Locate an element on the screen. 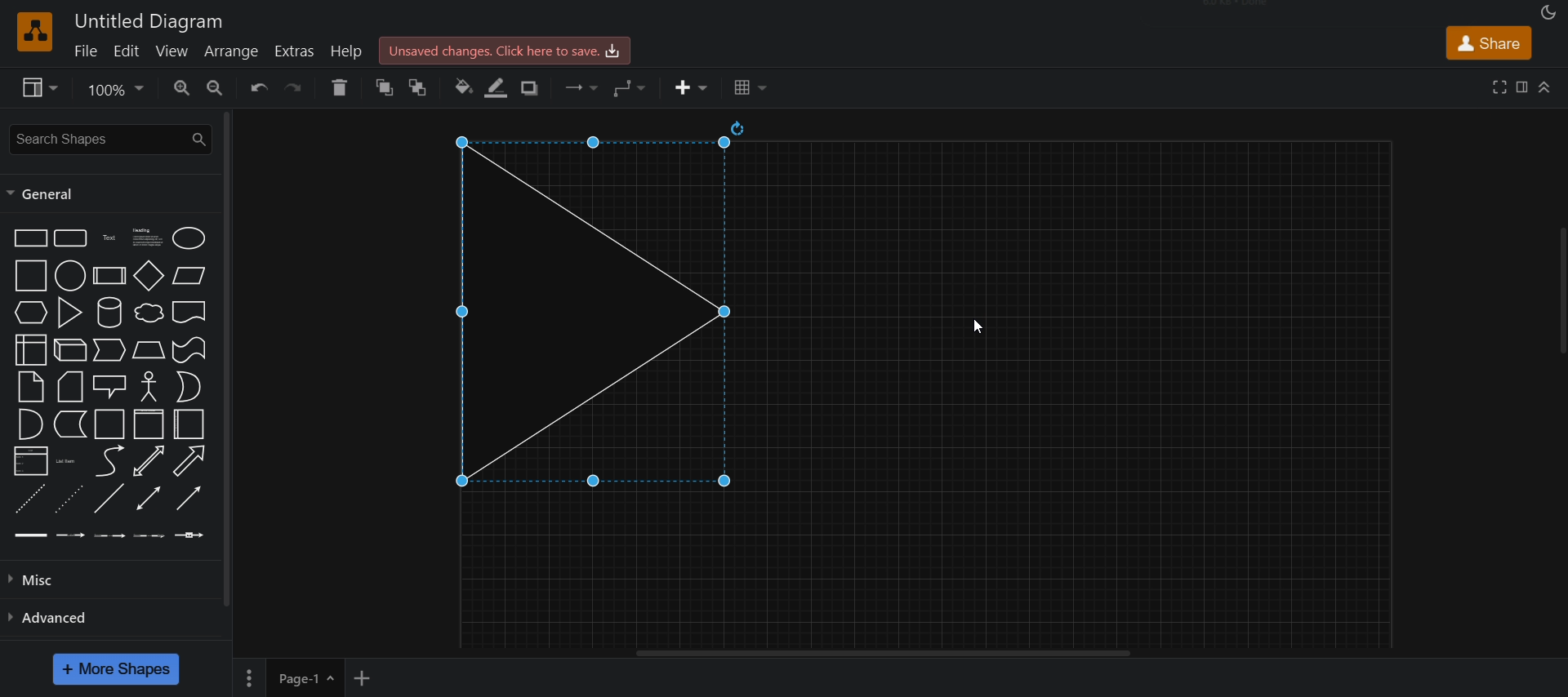  curve is located at coordinates (109, 313).